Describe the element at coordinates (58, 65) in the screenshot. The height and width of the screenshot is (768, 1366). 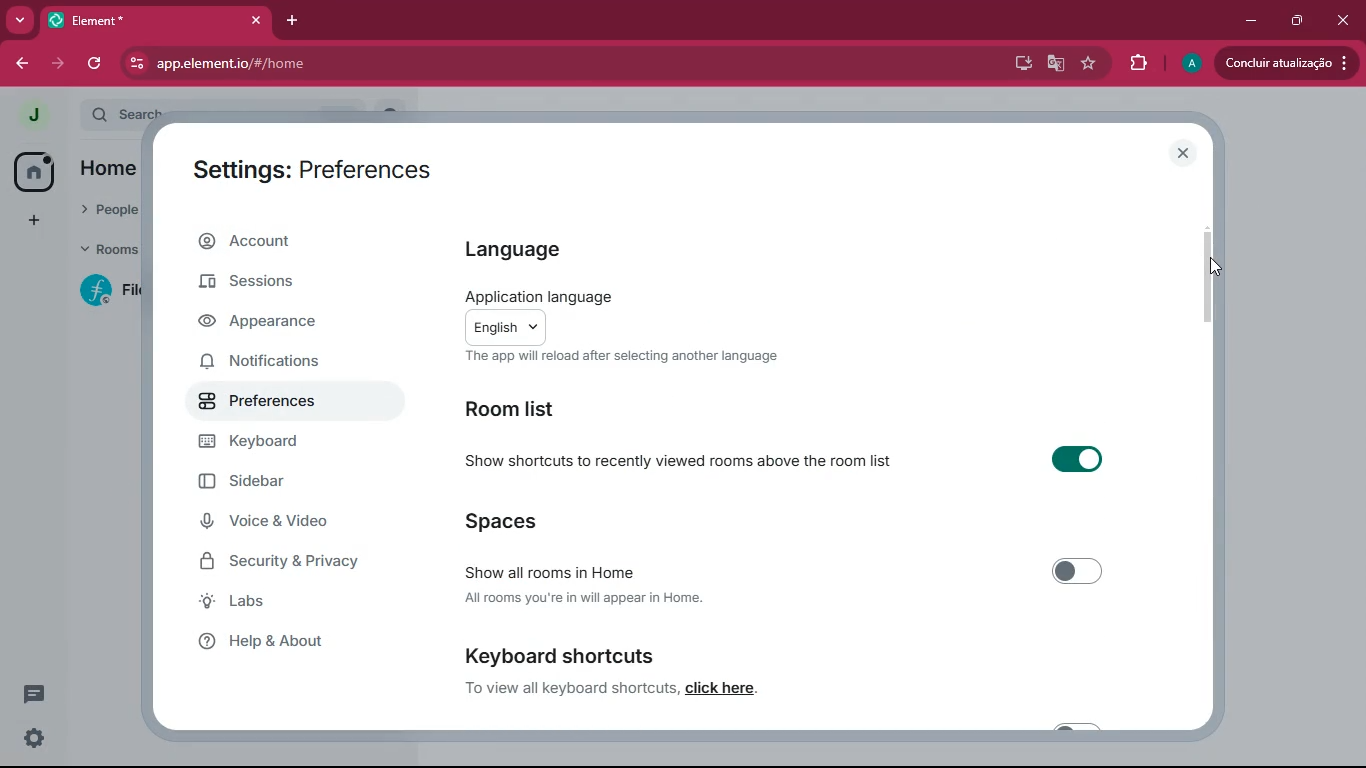
I see `forward` at that location.